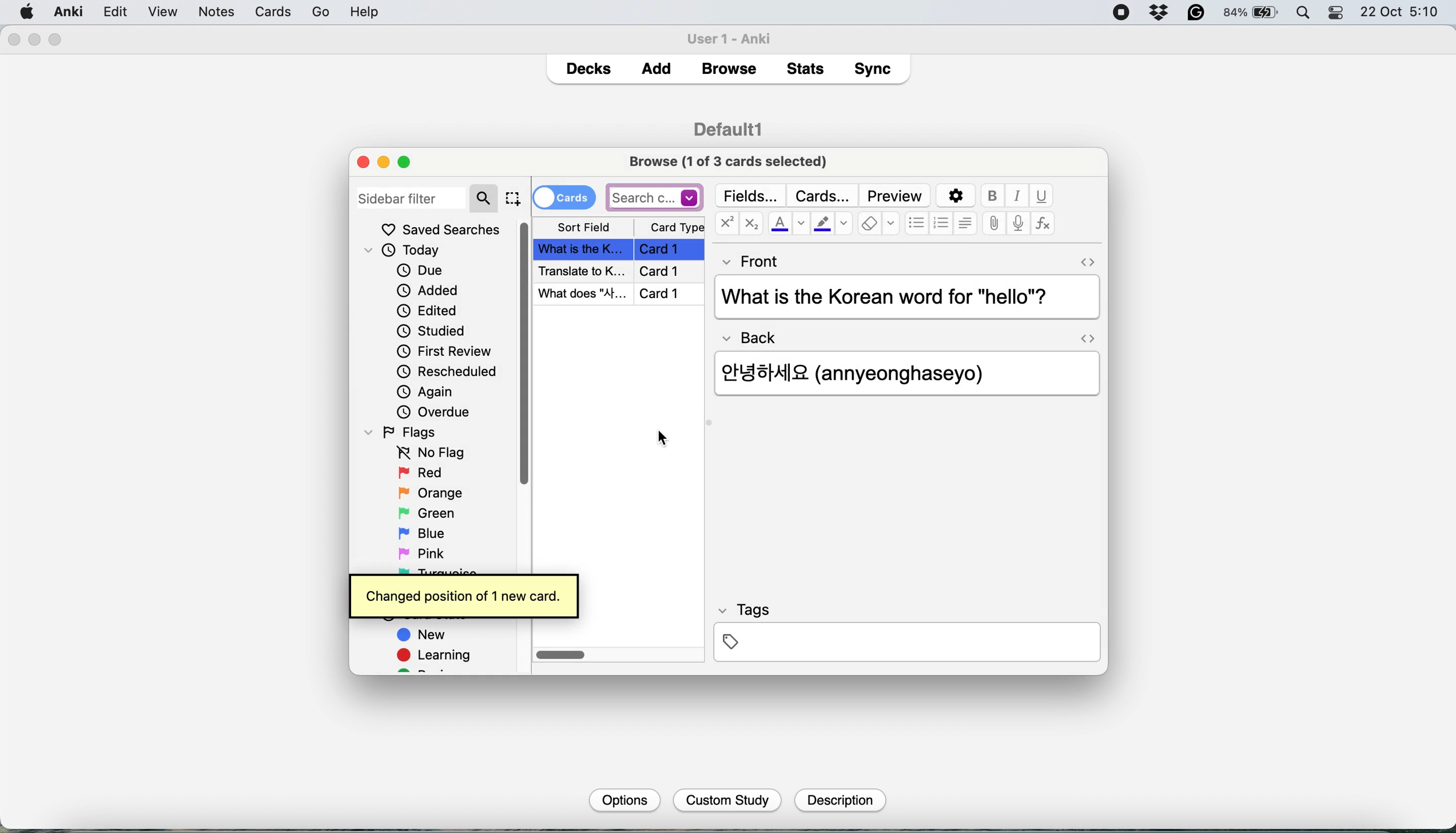 The width and height of the screenshot is (1456, 833). What do you see at coordinates (562, 656) in the screenshot?
I see `horizontal scroll bar` at bounding box center [562, 656].